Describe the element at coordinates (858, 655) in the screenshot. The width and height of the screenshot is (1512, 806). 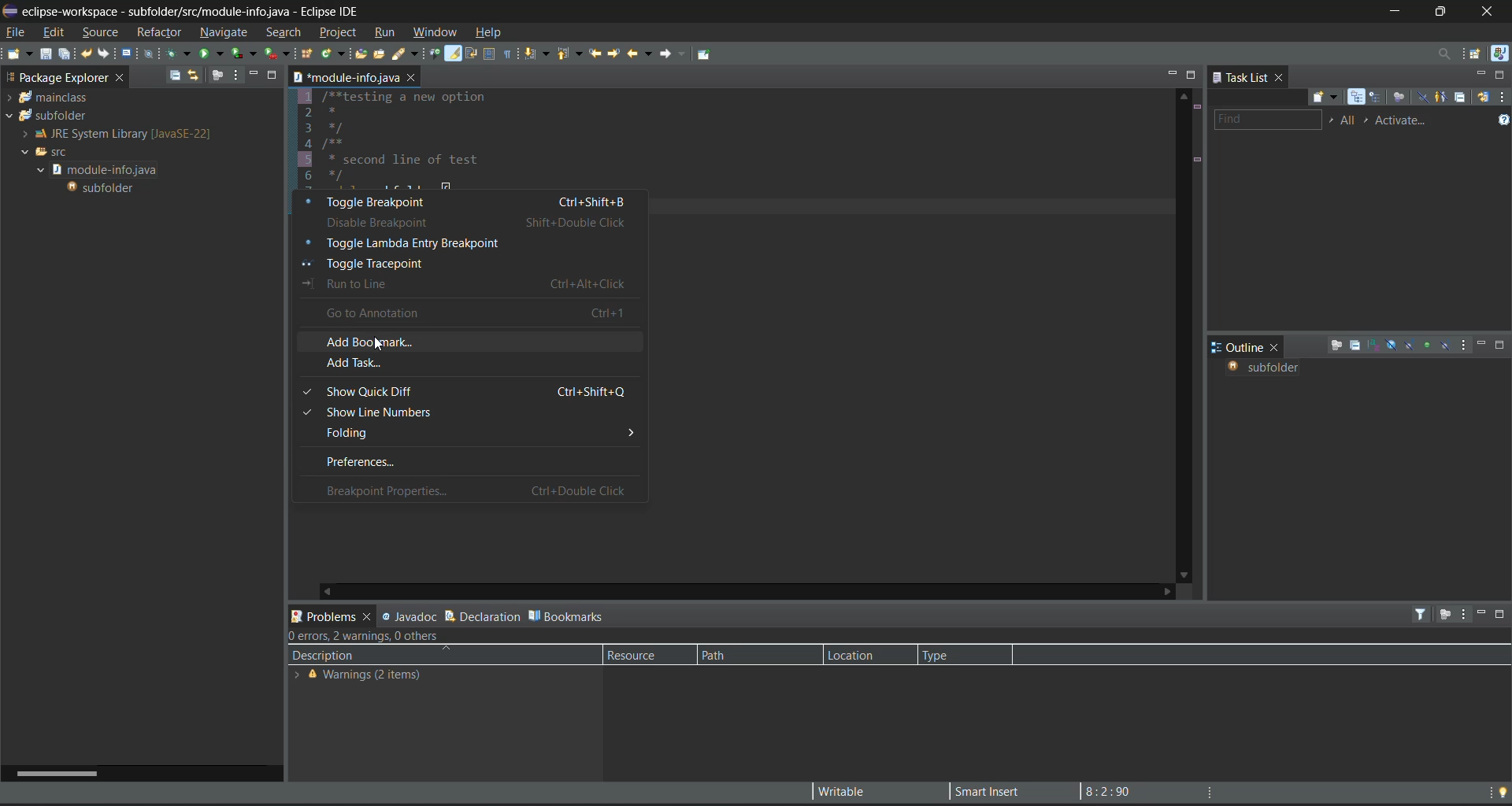
I see `location` at that location.